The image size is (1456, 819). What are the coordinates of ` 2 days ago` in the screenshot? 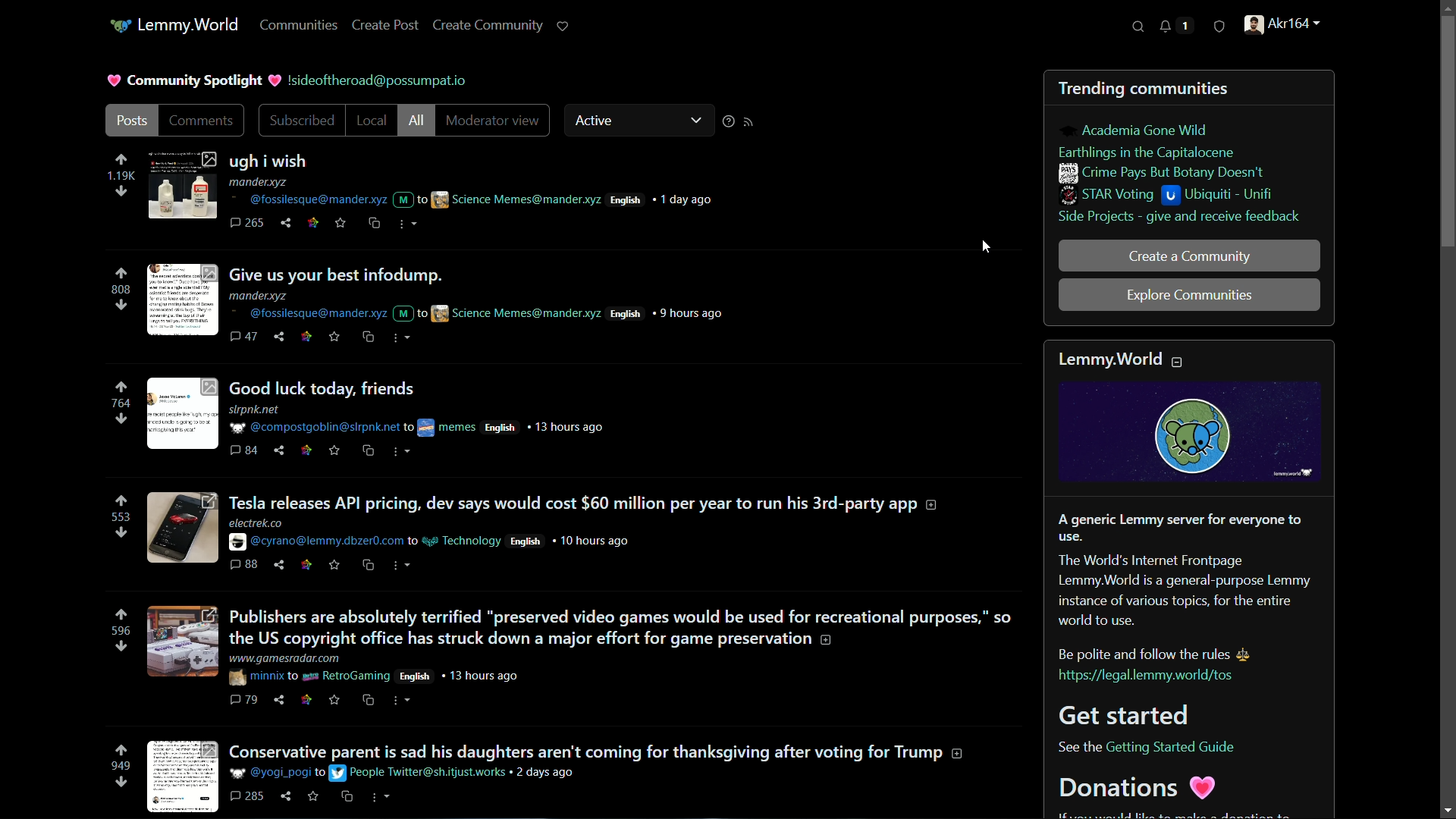 It's located at (544, 773).